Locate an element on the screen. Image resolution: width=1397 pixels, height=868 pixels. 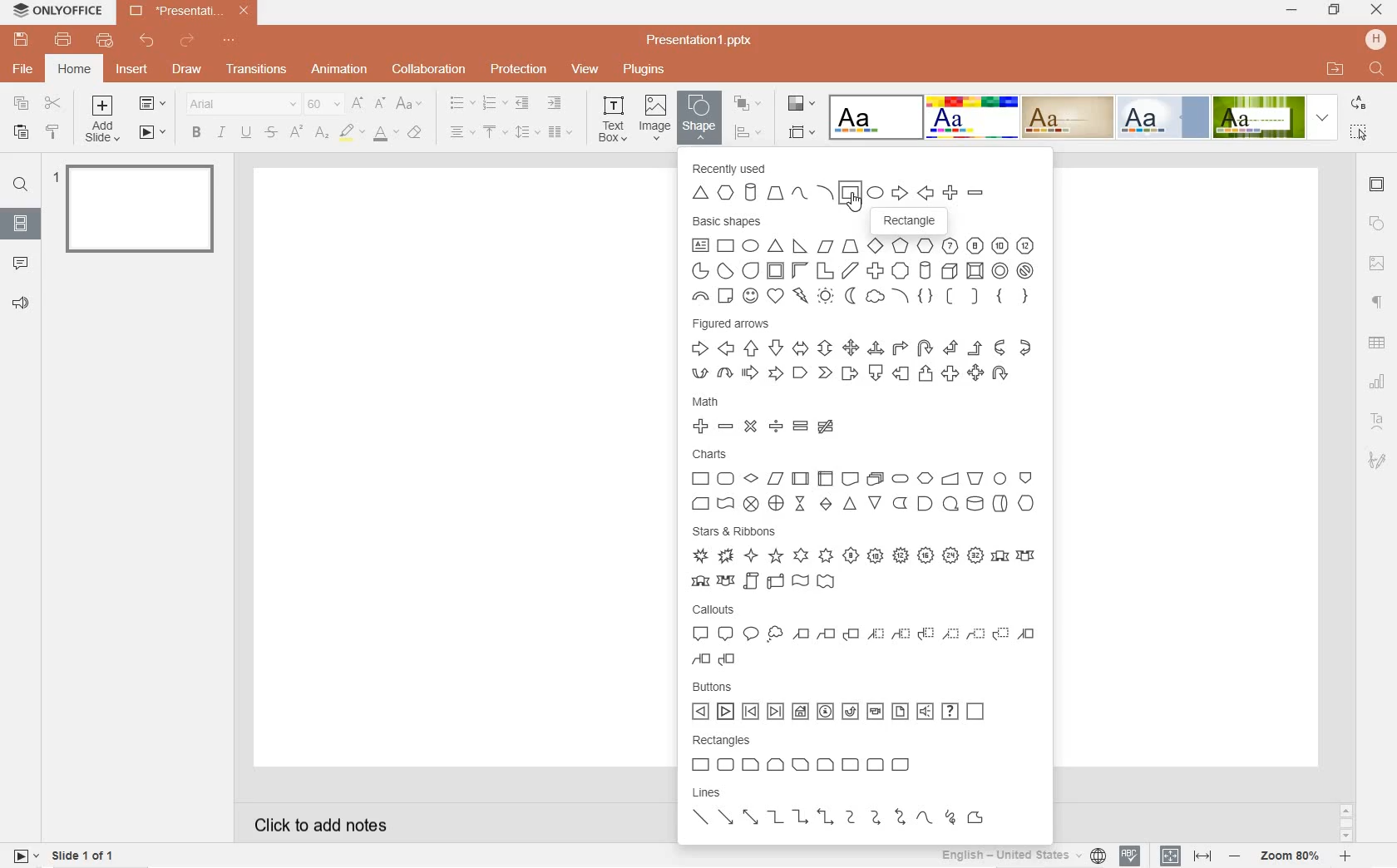
Cloud Callout is located at coordinates (773, 635).